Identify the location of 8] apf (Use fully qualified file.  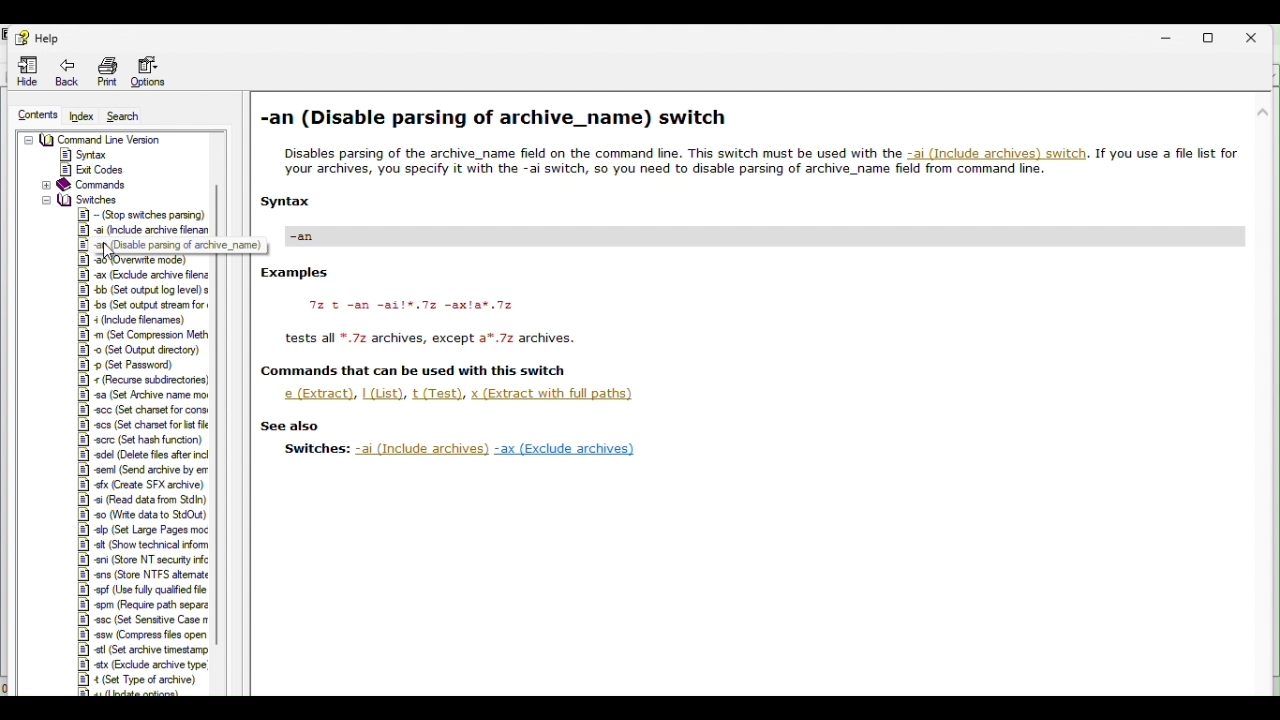
(142, 589).